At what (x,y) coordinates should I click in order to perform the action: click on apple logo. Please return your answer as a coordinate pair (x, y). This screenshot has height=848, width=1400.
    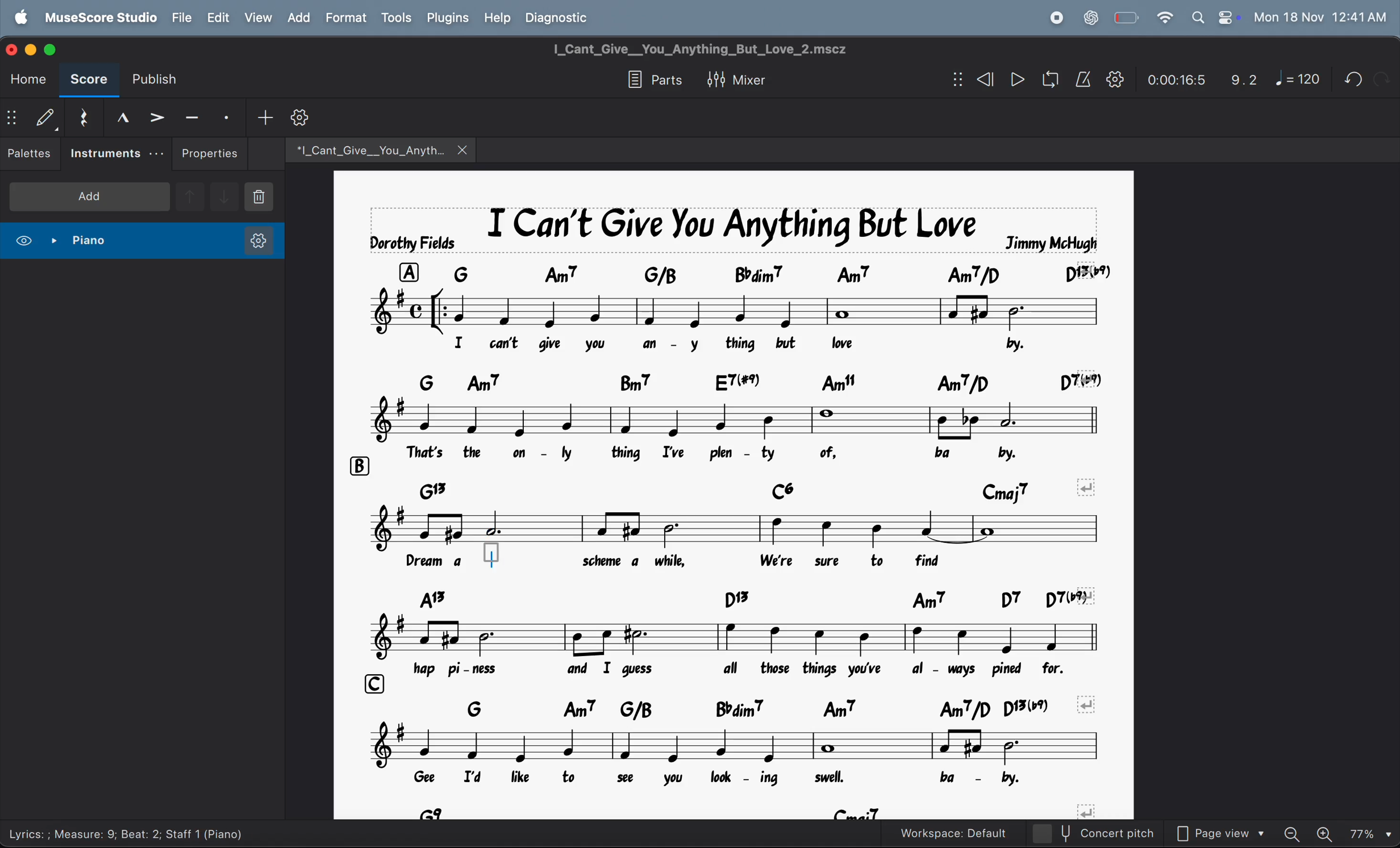
    Looking at the image, I should click on (18, 18).